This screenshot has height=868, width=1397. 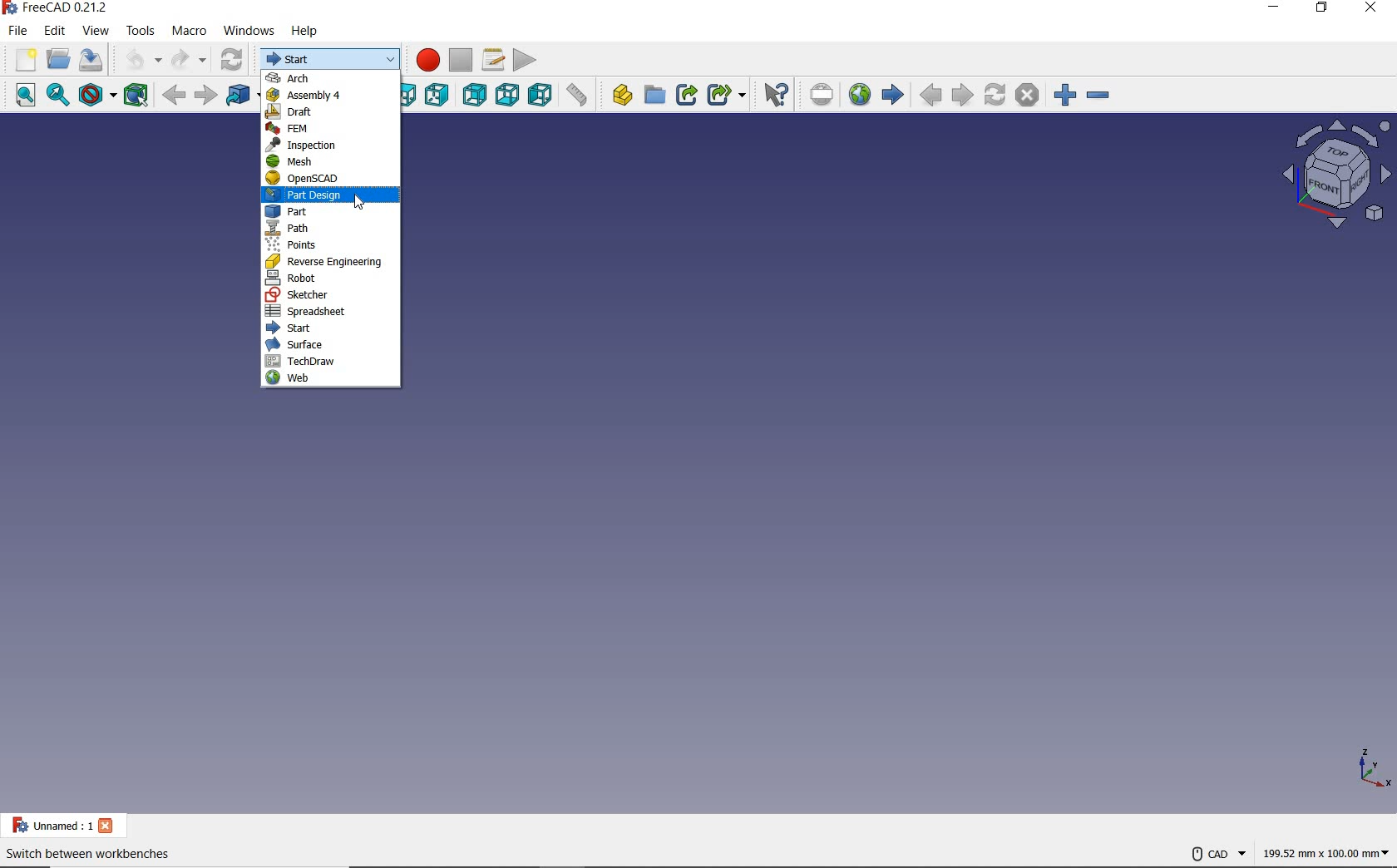 What do you see at coordinates (250, 31) in the screenshot?
I see `WINDOWS` at bounding box center [250, 31].